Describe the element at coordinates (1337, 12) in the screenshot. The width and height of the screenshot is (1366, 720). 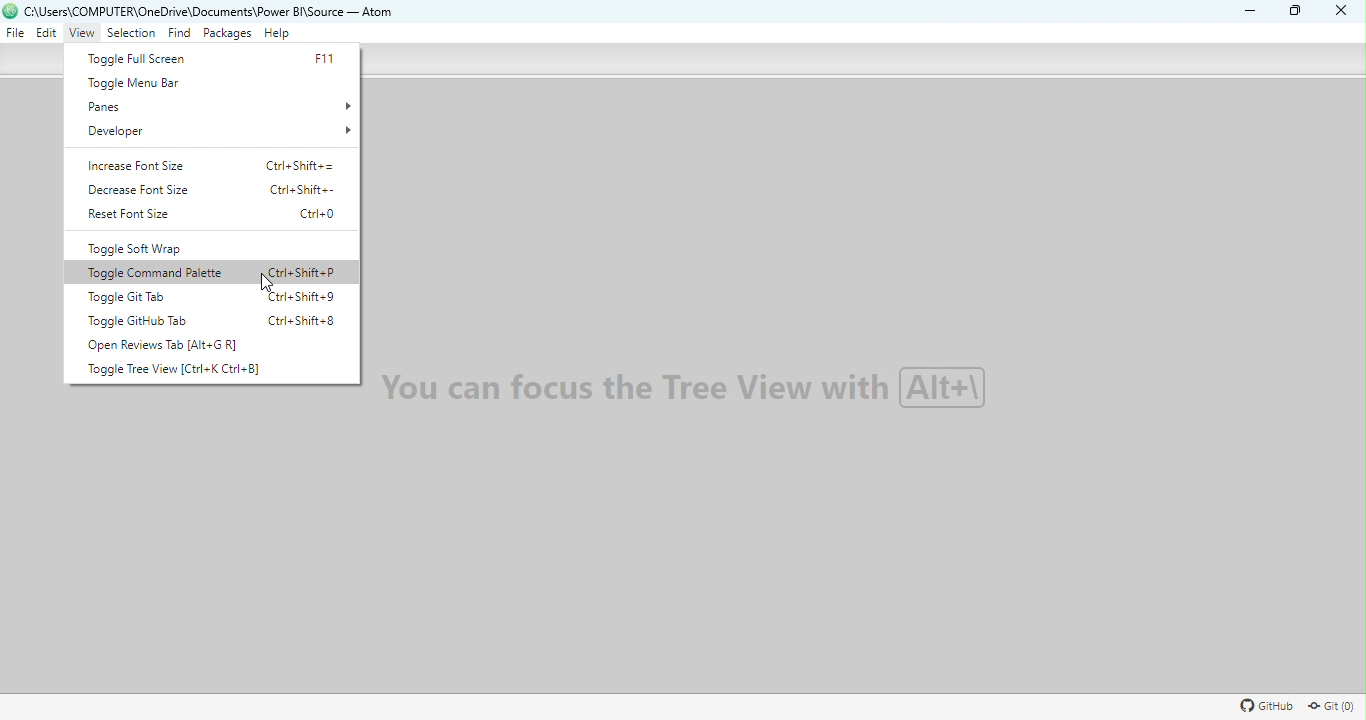
I see `close` at that location.